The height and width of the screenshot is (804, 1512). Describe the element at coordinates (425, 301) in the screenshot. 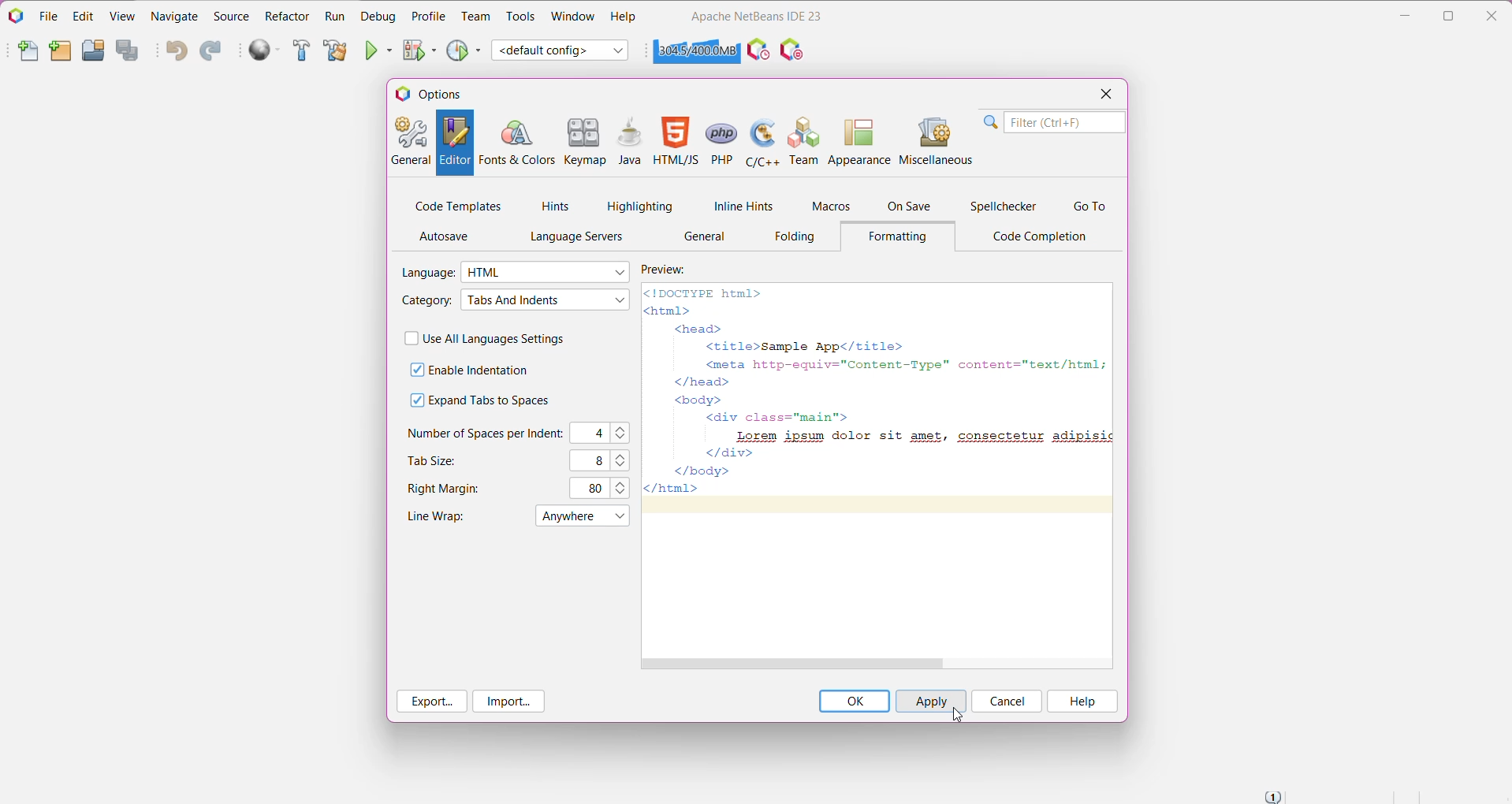

I see `Category` at that location.